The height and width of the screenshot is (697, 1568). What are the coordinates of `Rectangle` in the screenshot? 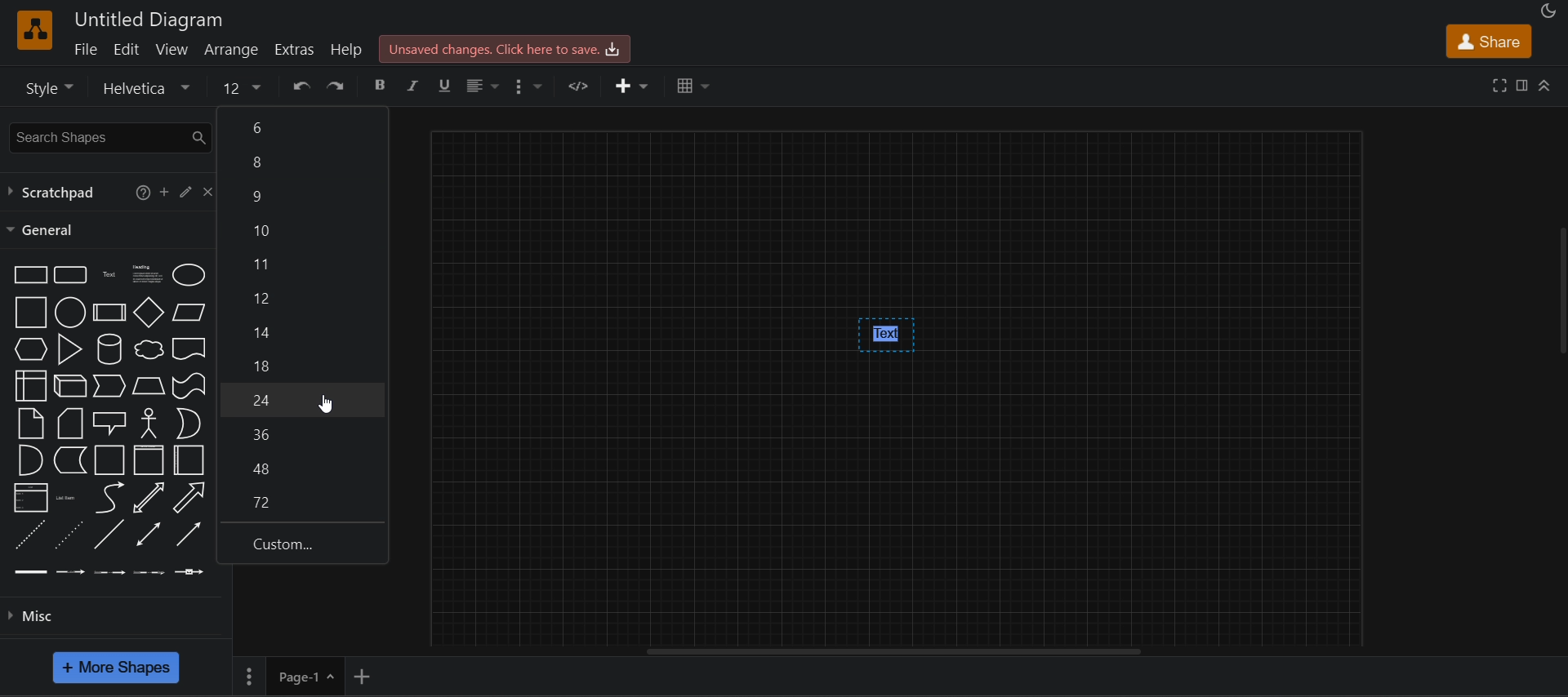 It's located at (30, 274).